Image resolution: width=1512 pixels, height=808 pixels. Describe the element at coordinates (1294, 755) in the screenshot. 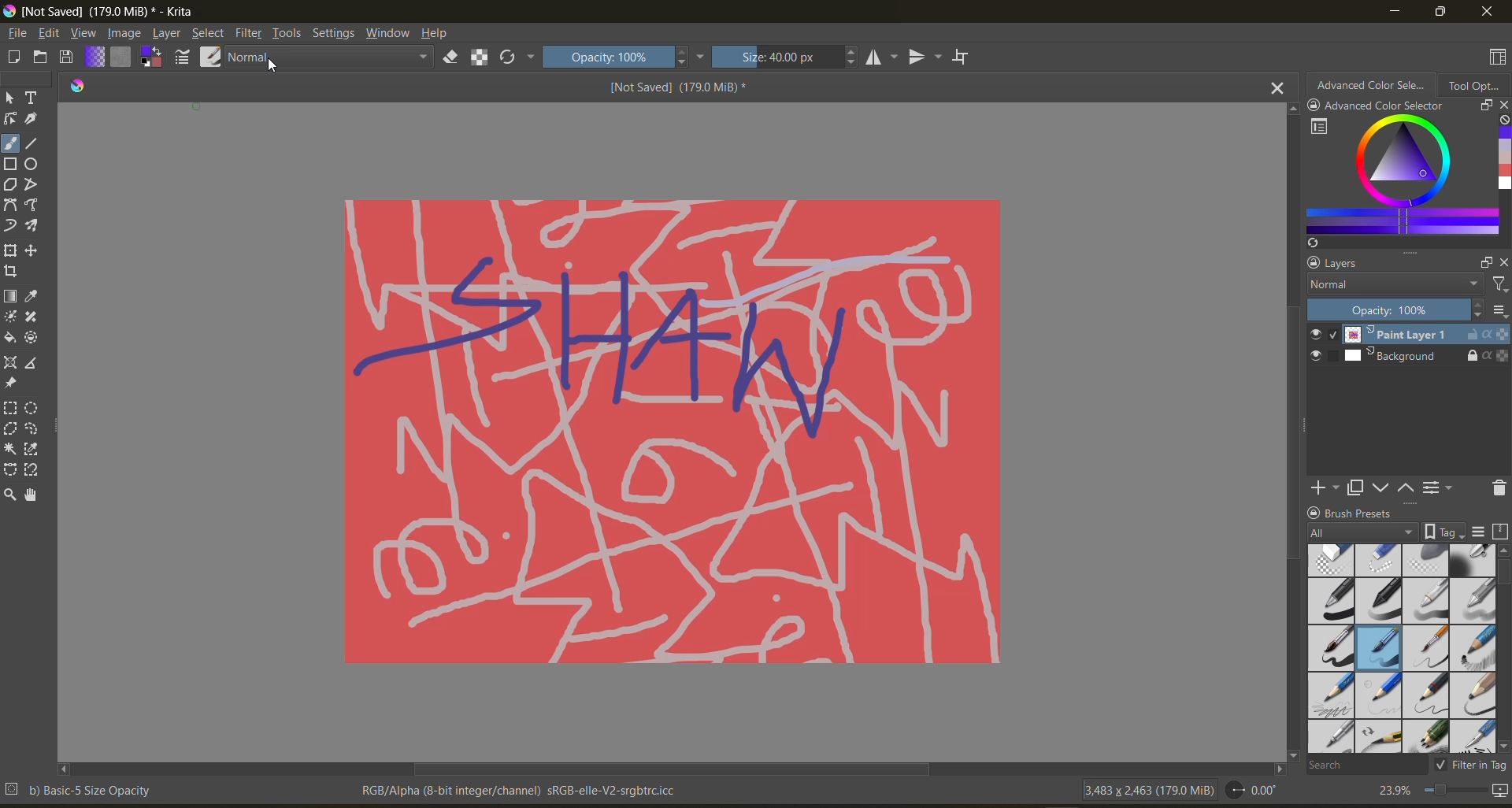

I see `scroll down` at that location.